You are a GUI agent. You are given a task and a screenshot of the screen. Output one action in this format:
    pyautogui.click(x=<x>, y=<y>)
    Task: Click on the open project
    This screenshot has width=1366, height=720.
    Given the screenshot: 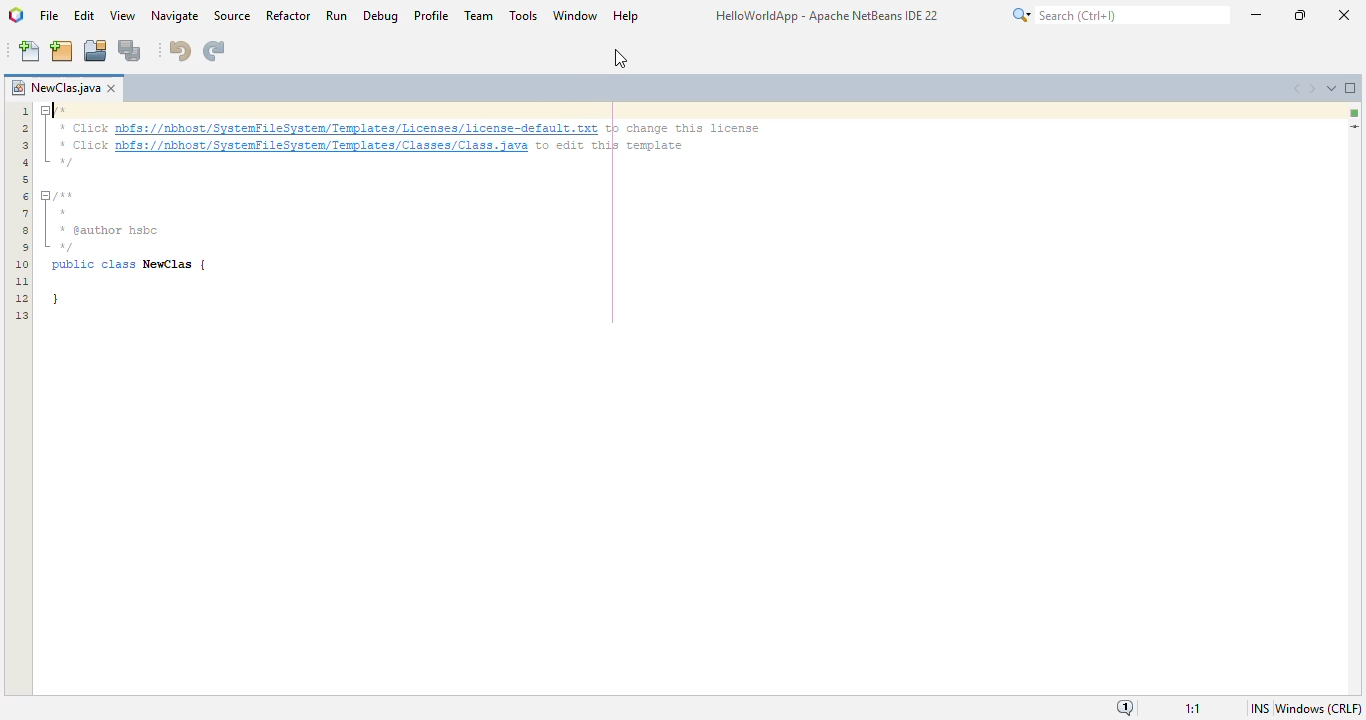 What is the action you would take?
    pyautogui.click(x=95, y=49)
    